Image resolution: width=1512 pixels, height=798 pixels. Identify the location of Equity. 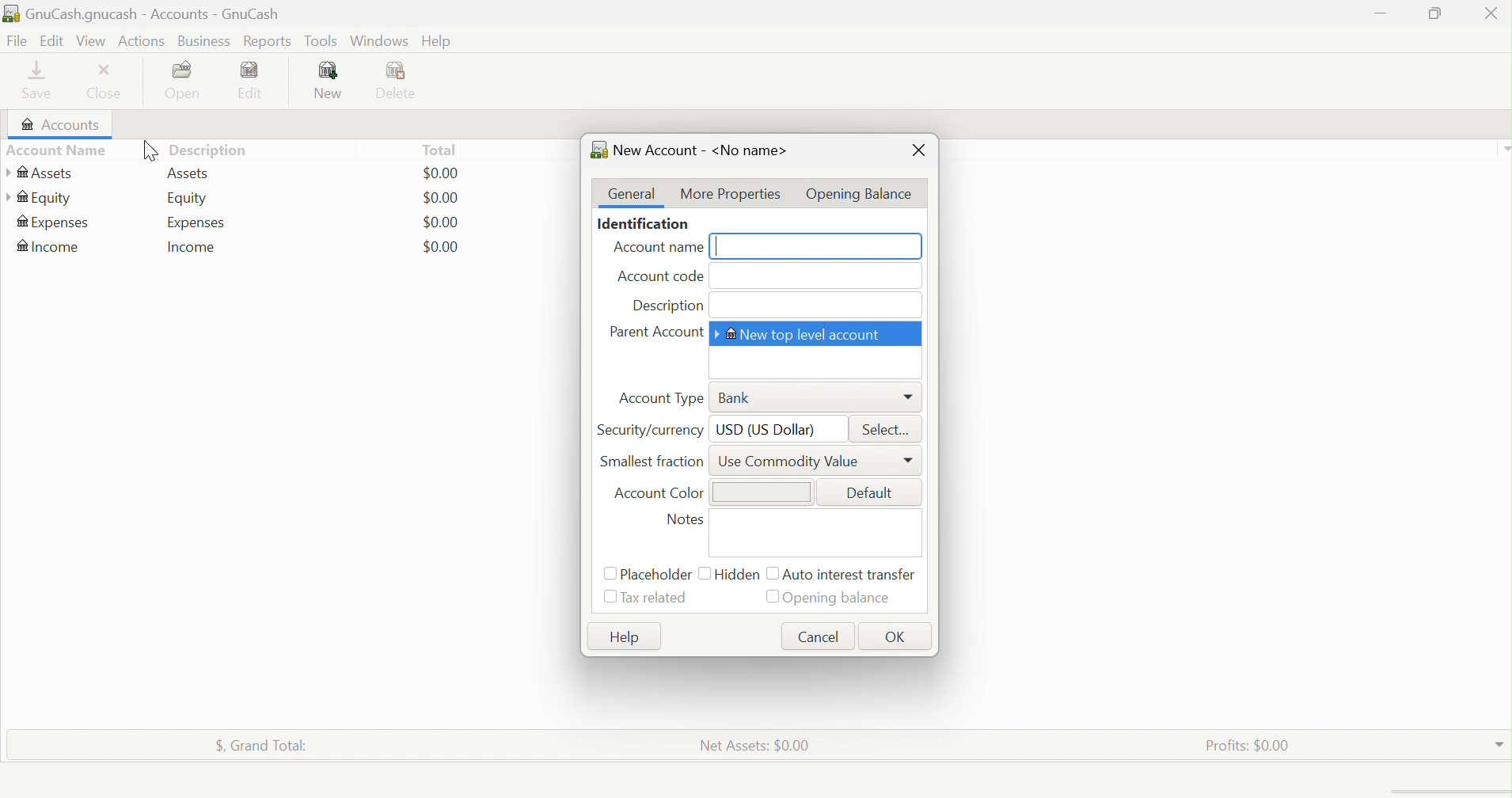
(187, 199).